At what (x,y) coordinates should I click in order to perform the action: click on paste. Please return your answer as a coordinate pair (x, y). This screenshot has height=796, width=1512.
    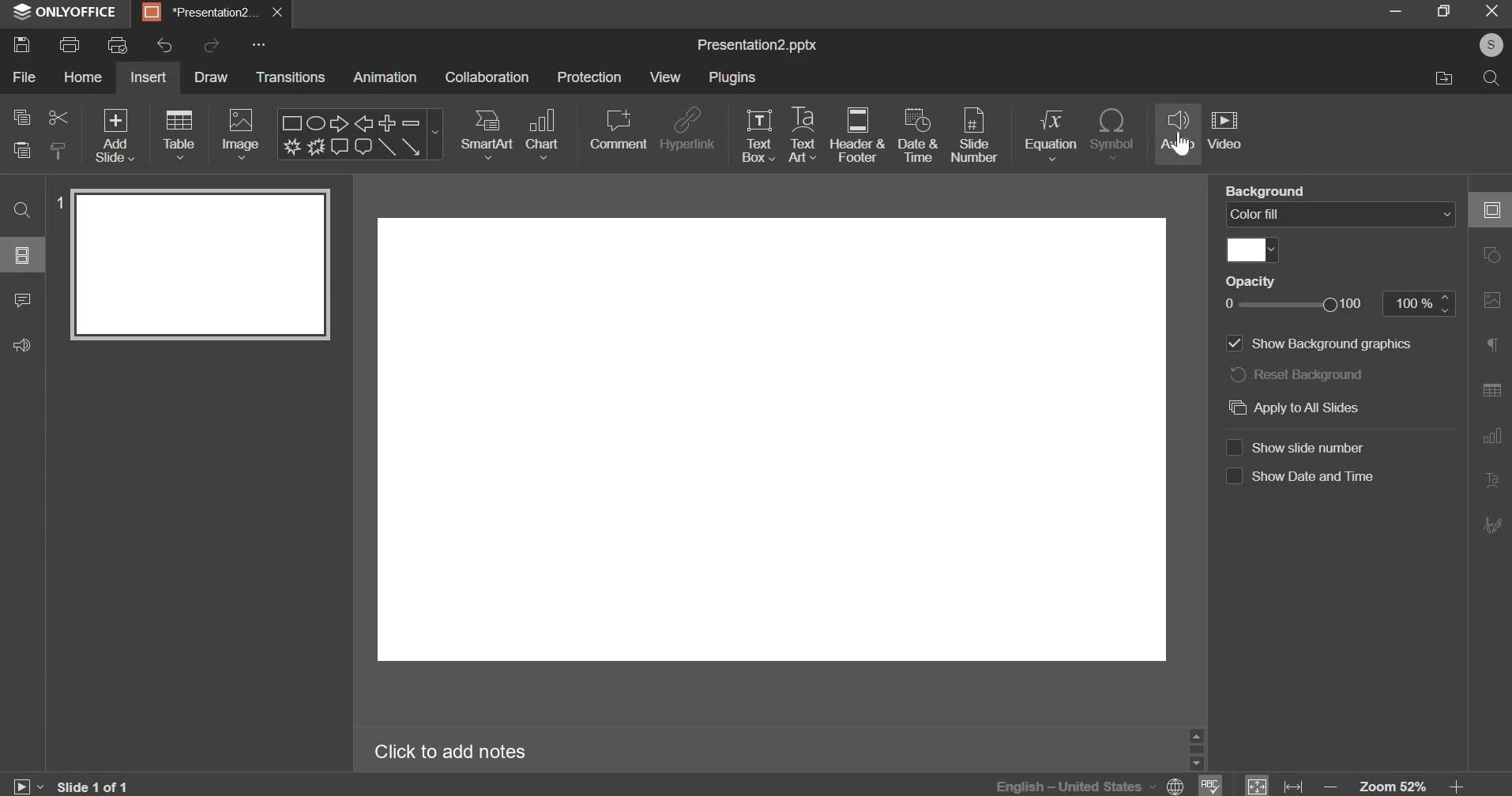
    Looking at the image, I should click on (21, 152).